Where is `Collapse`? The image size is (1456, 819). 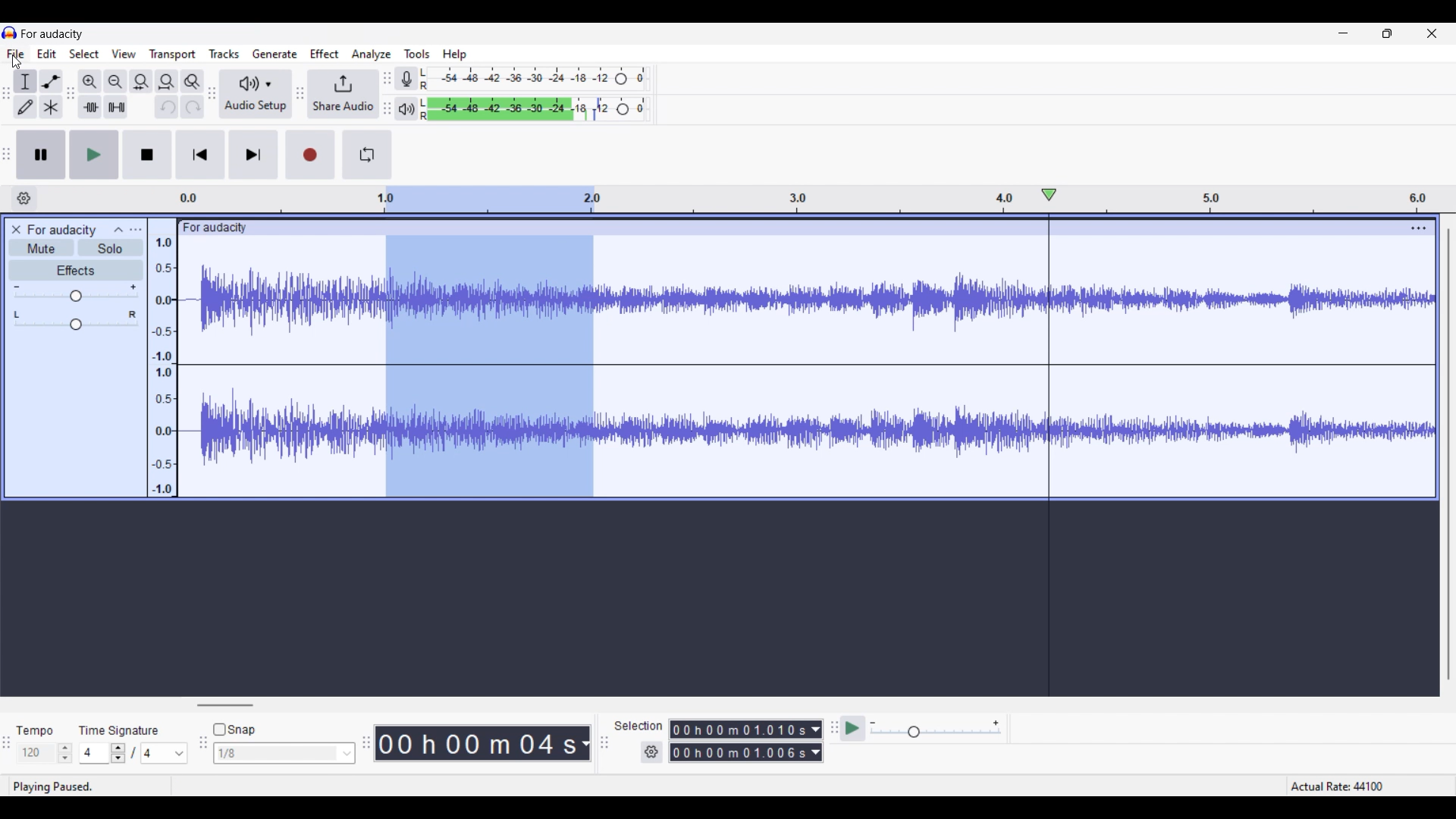
Collapse is located at coordinates (118, 229).